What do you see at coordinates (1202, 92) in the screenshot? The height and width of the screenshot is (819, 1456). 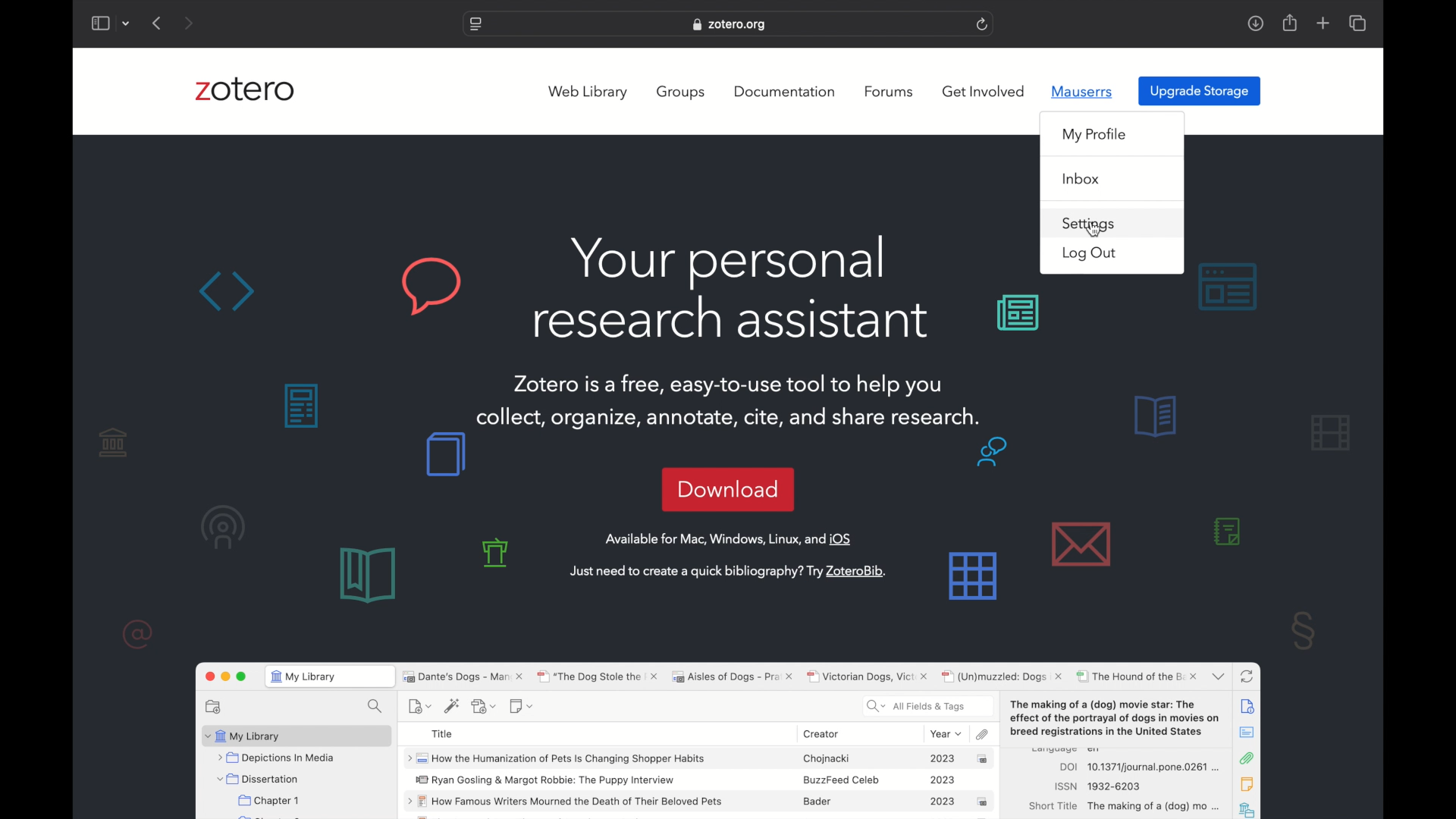 I see `upgrade storage` at bounding box center [1202, 92].